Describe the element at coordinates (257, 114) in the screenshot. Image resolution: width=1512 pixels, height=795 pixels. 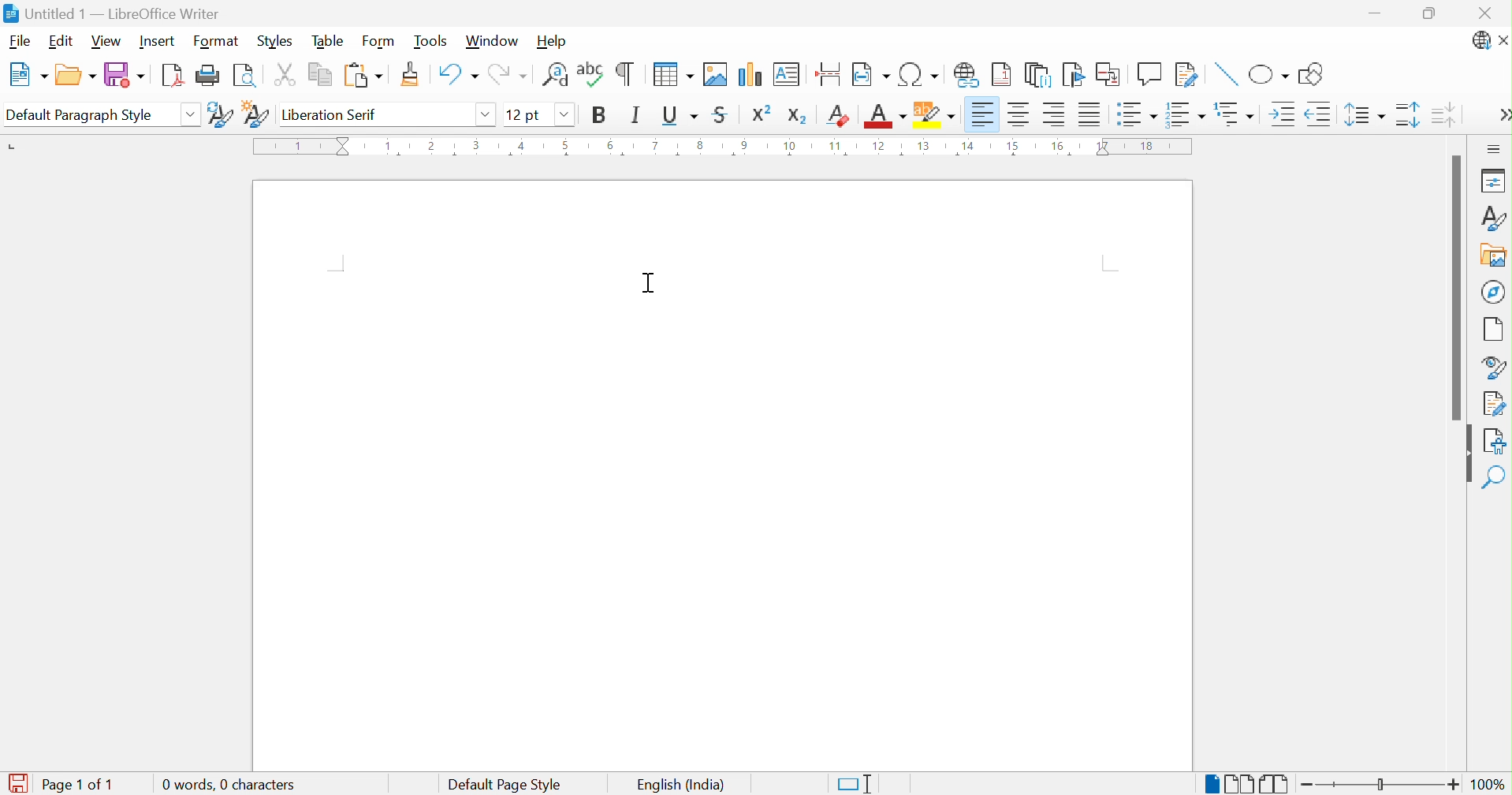
I see `New style from selection` at that location.